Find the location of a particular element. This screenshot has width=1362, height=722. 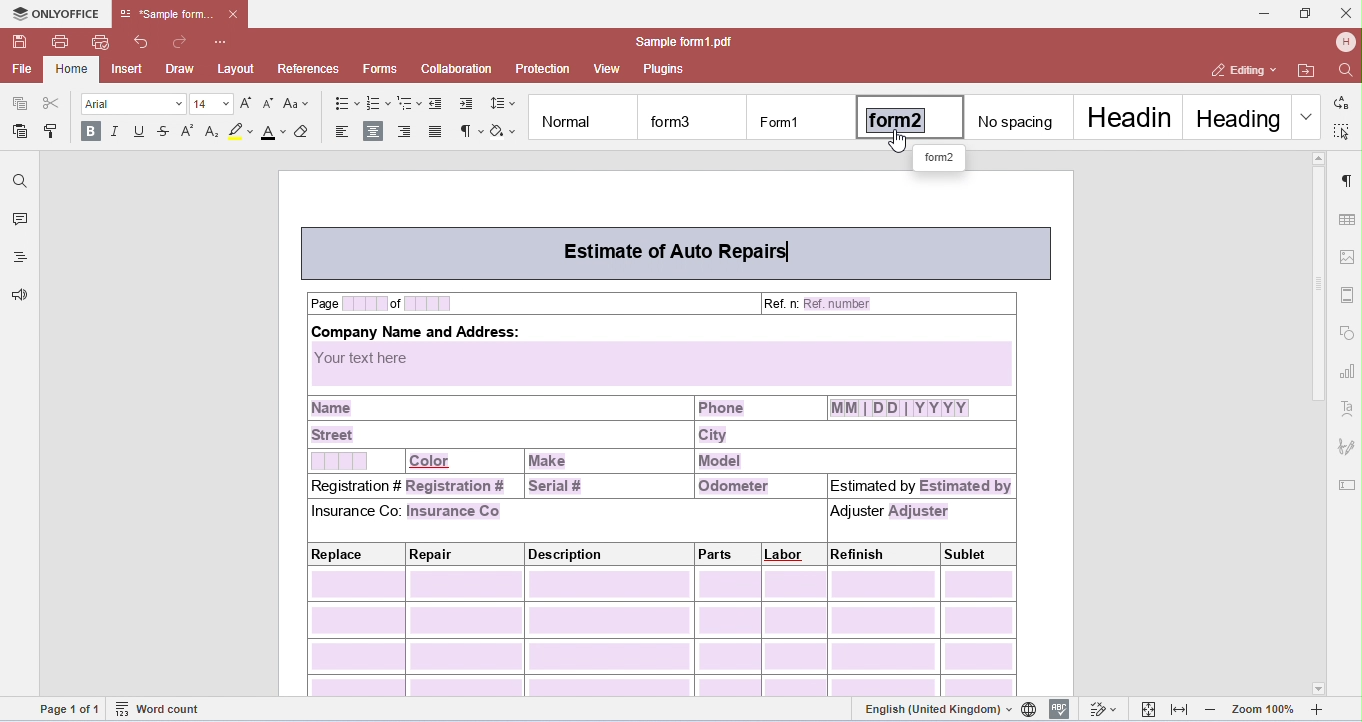

font style is located at coordinates (134, 104).